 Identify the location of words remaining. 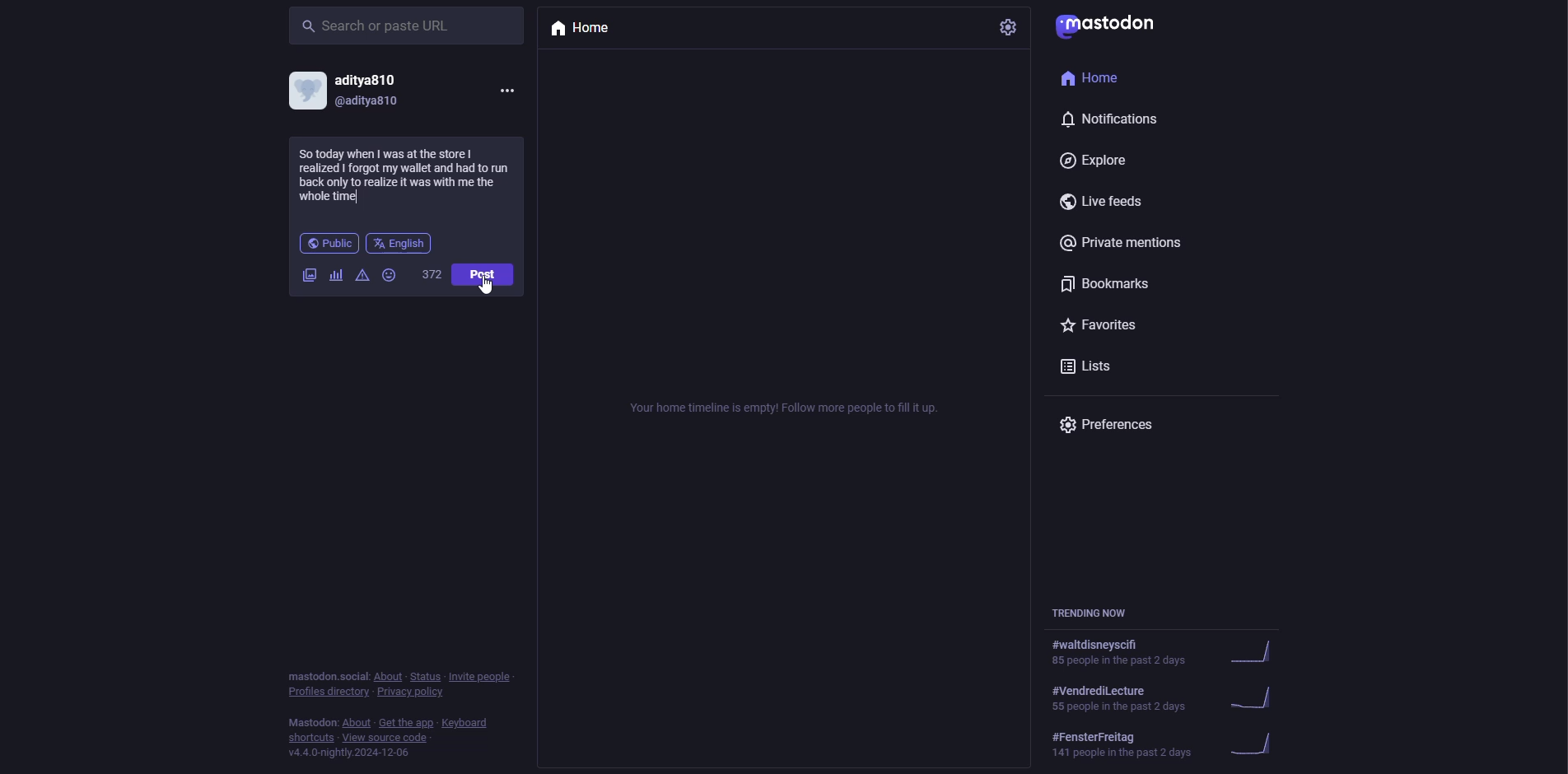
(433, 273).